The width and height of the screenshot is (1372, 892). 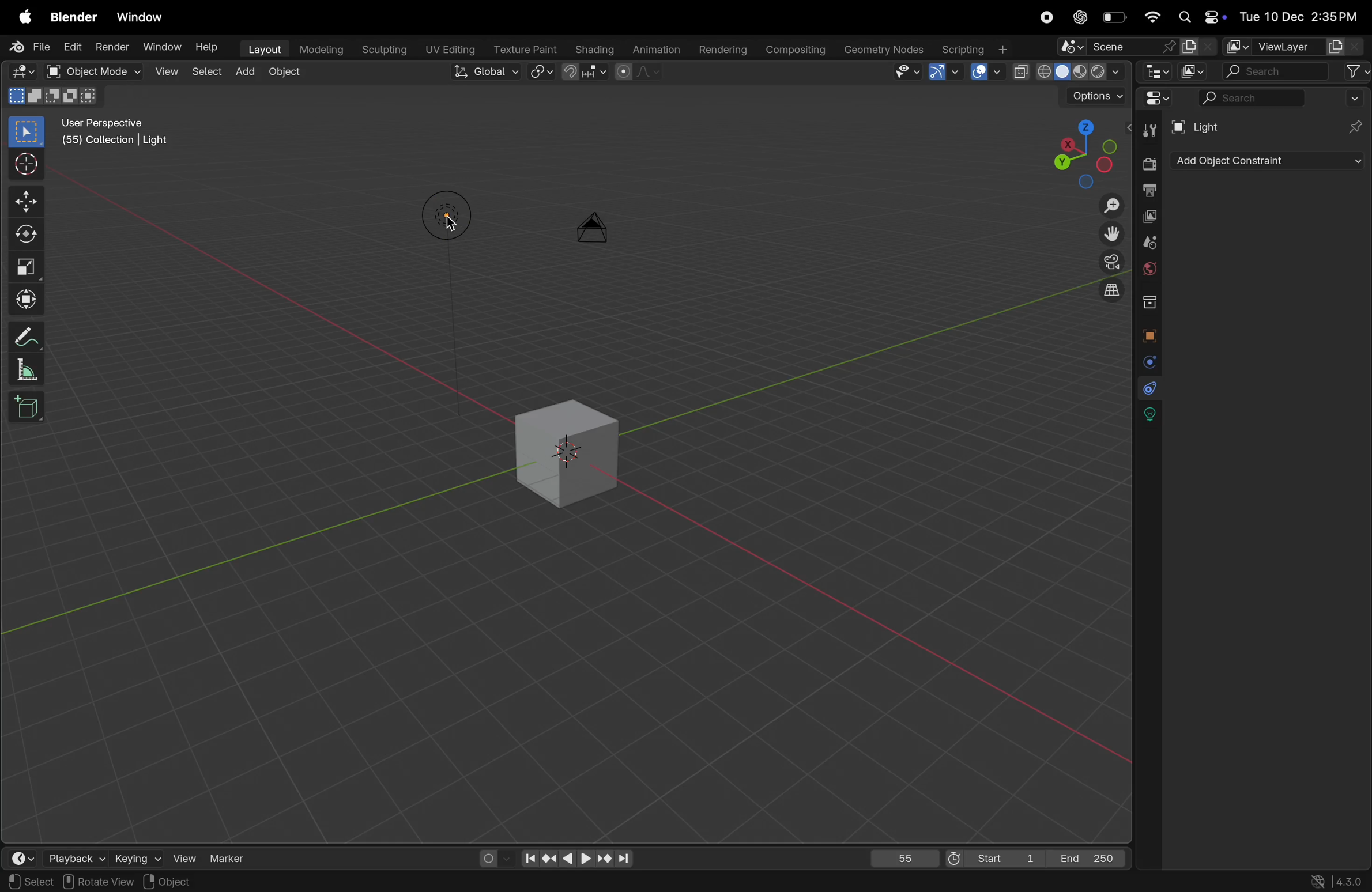 What do you see at coordinates (1194, 72) in the screenshot?
I see `display mode` at bounding box center [1194, 72].